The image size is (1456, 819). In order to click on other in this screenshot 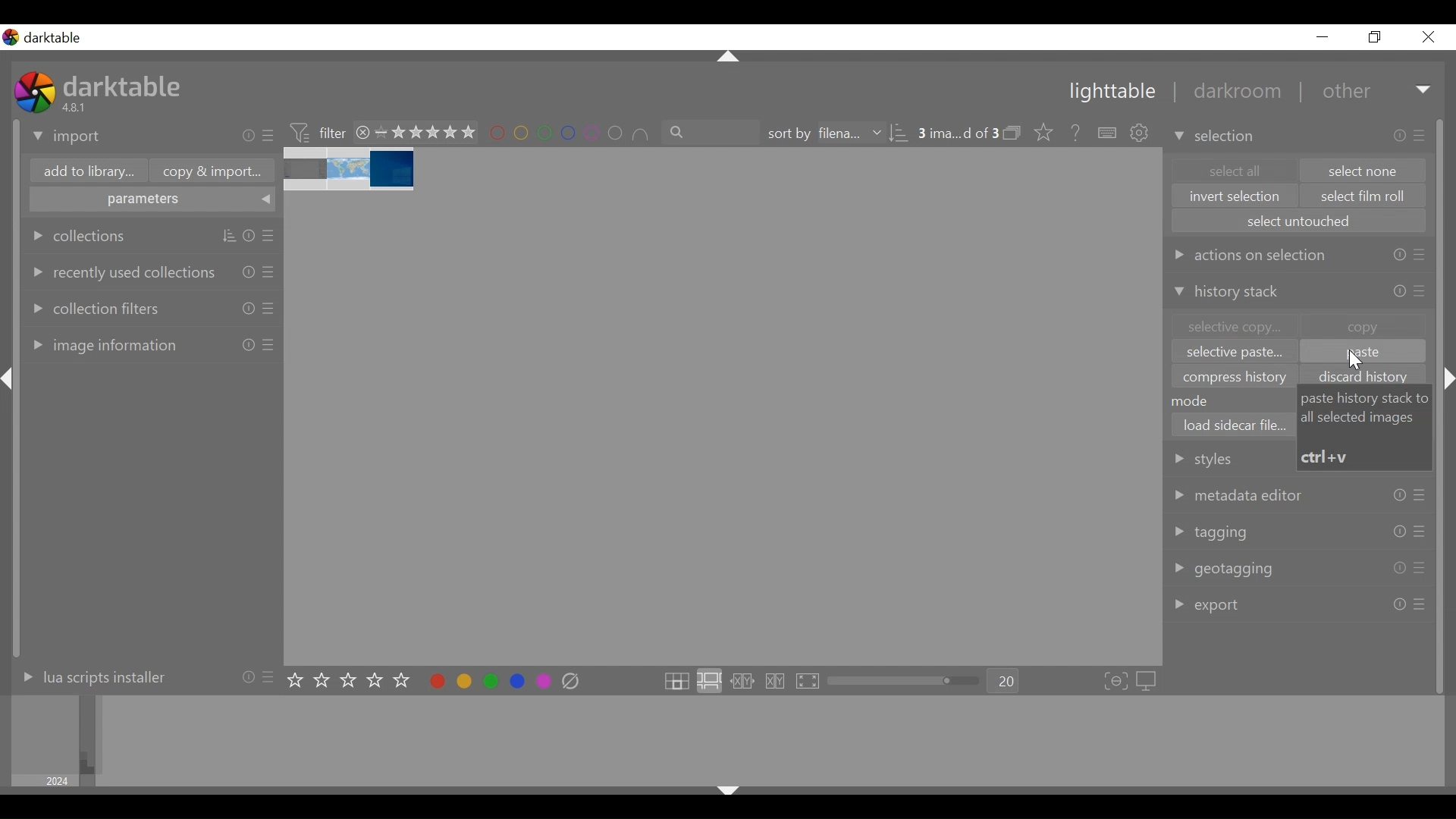, I will do `click(1345, 92)`.